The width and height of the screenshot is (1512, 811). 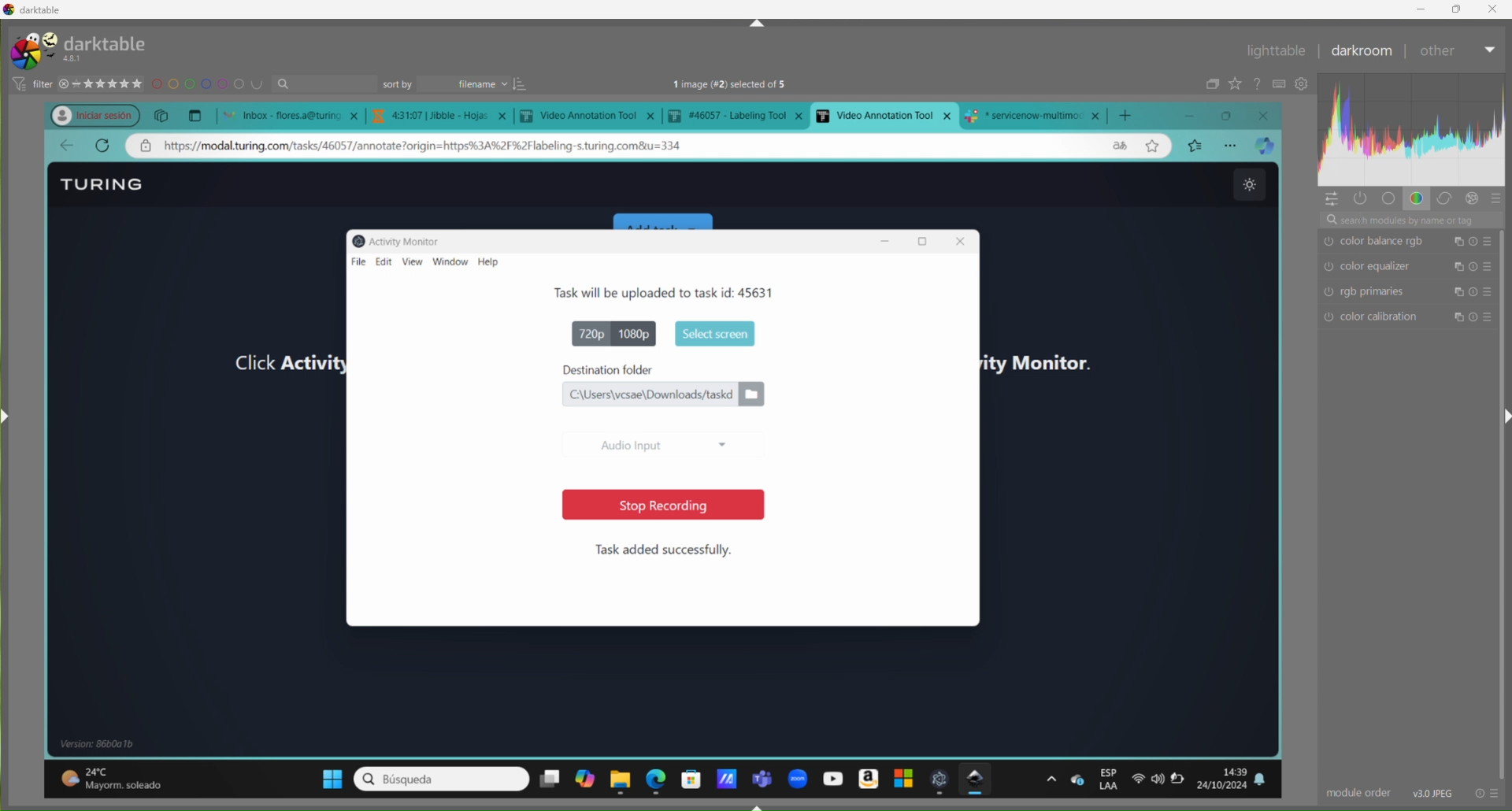 What do you see at coordinates (273, 363) in the screenshot?
I see `click activity` at bounding box center [273, 363].